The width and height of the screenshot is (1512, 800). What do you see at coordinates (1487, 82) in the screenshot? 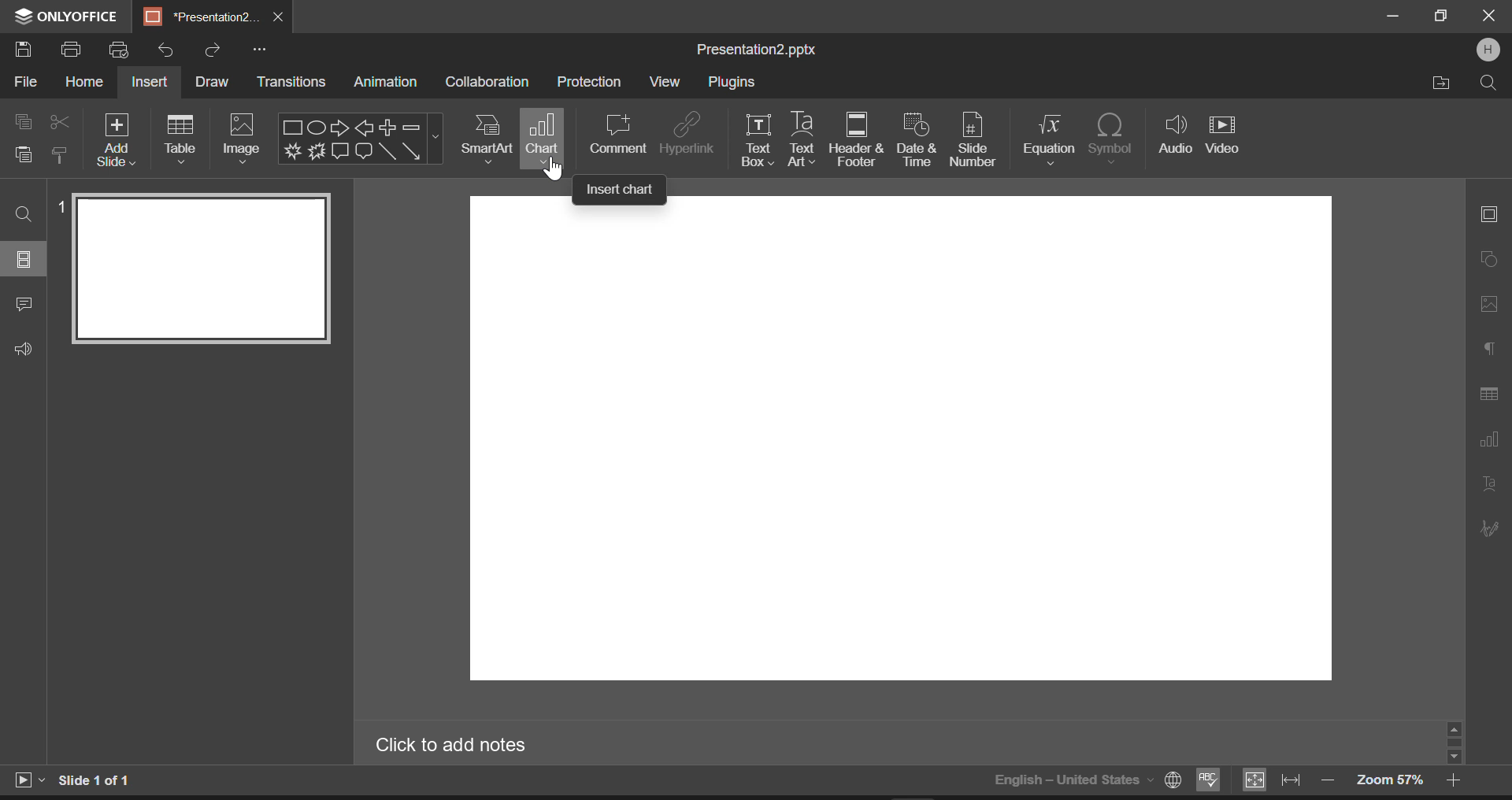
I see `Search` at bounding box center [1487, 82].